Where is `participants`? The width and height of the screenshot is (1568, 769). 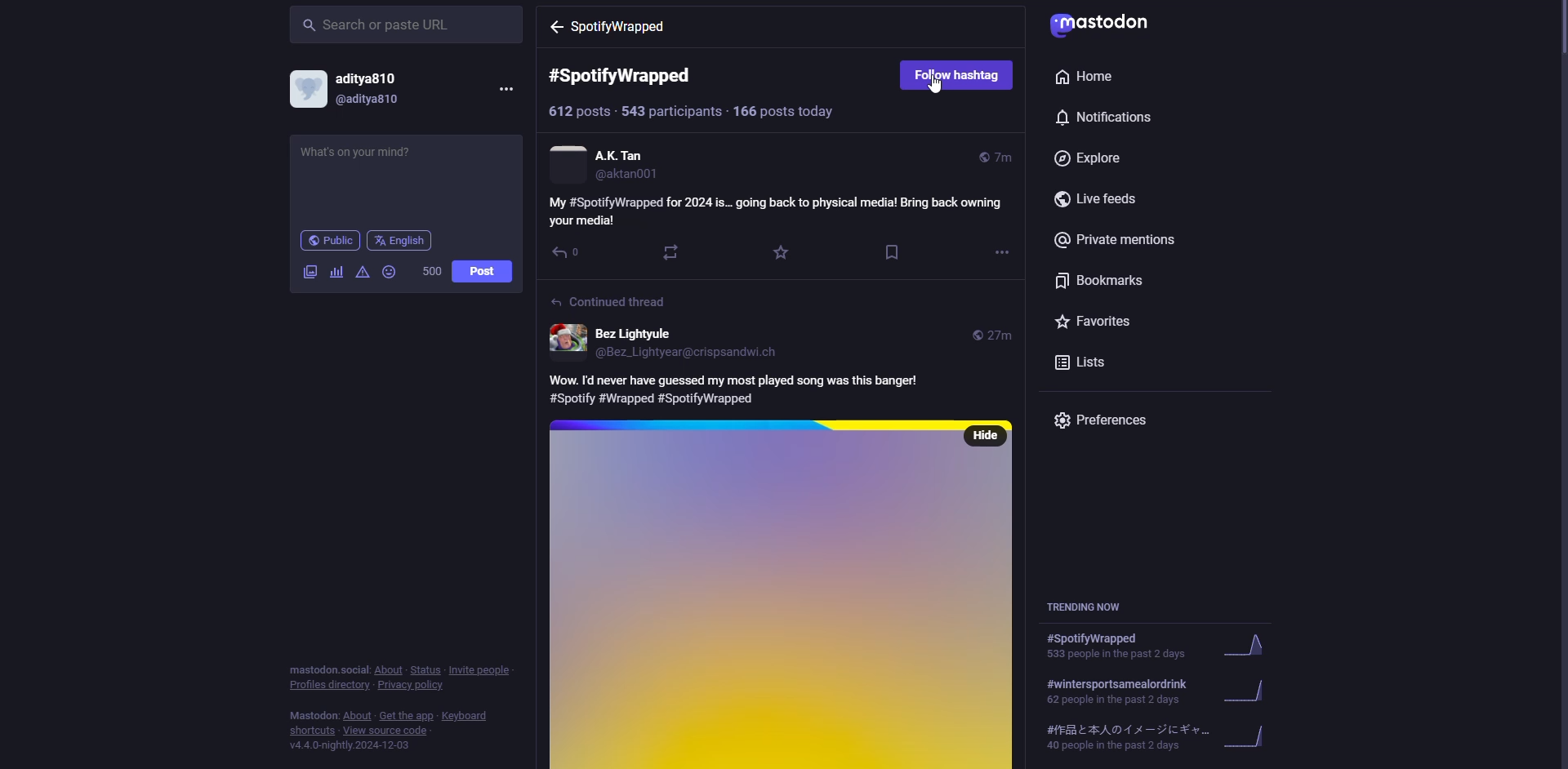
participants is located at coordinates (671, 112).